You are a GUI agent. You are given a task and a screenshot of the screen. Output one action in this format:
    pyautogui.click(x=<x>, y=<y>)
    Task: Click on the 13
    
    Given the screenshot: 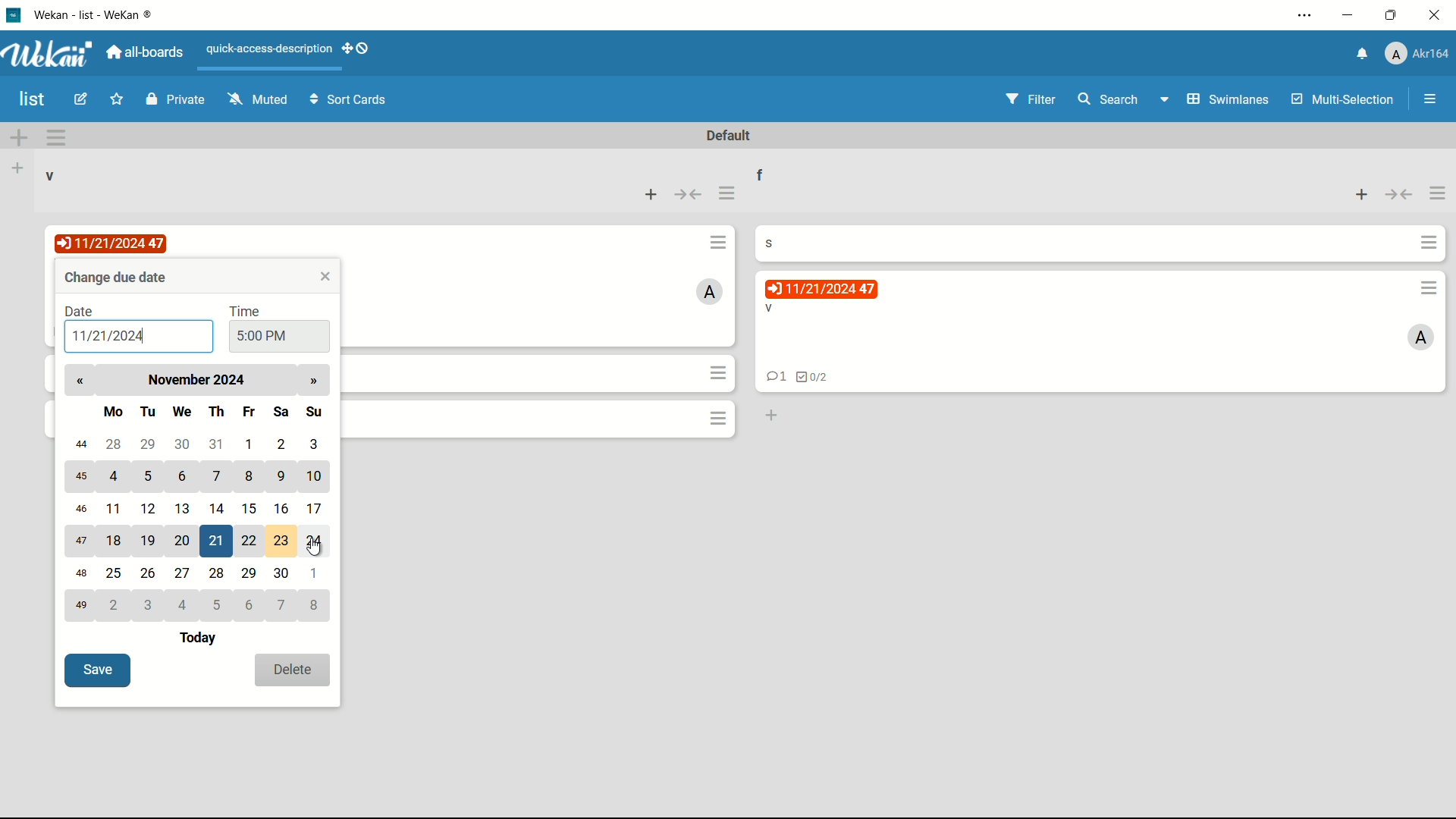 What is the action you would take?
    pyautogui.click(x=185, y=508)
    